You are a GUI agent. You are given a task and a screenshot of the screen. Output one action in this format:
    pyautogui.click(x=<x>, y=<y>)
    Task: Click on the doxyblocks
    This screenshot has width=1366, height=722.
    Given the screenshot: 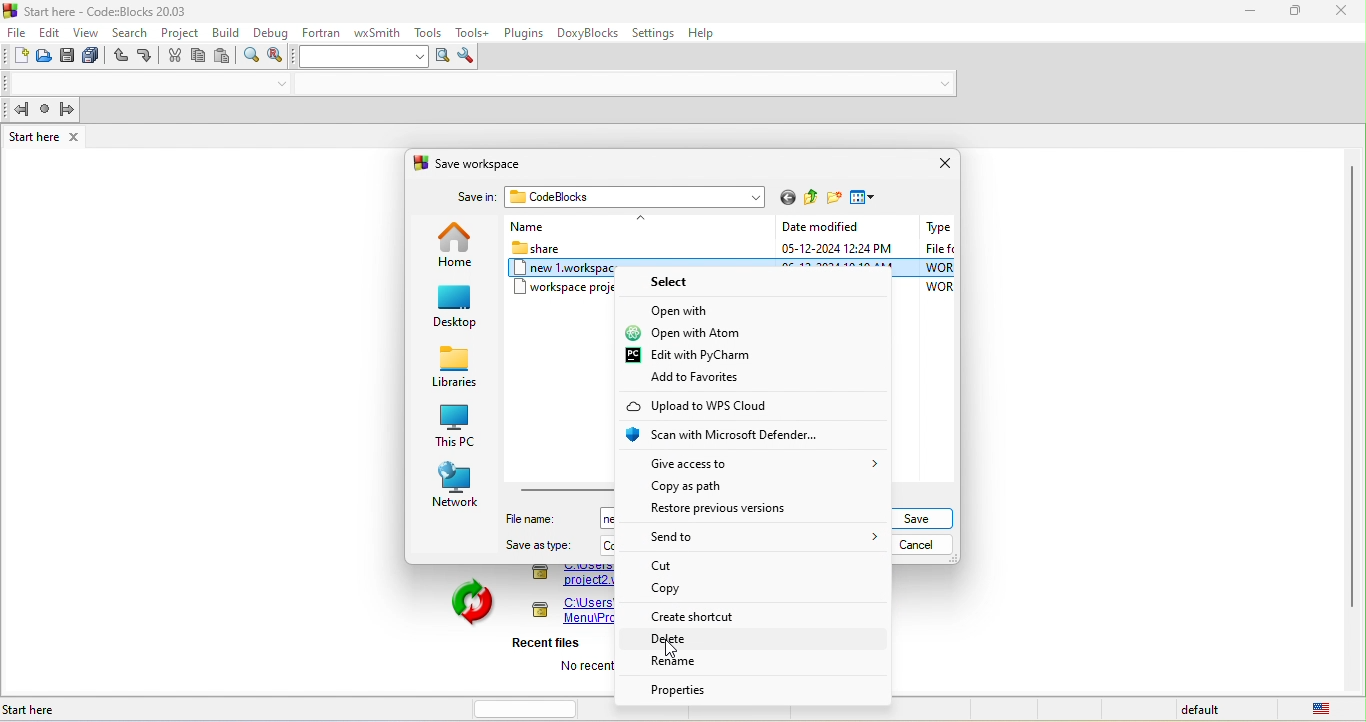 What is the action you would take?
    pyautogui.click(x=588, y=34)
    